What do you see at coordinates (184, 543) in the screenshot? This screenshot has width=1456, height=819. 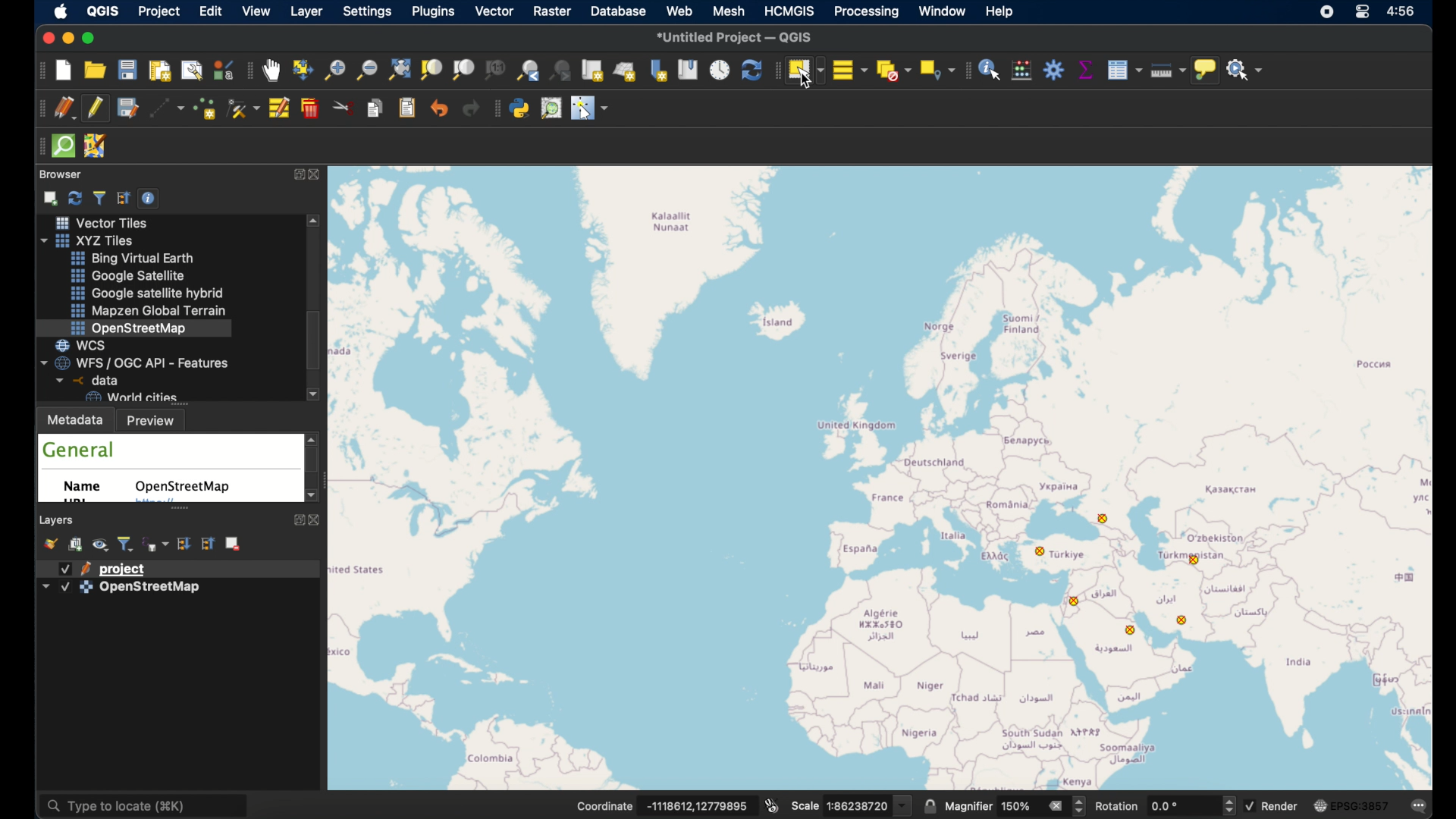 I see `expand all` at bounding box center [184, 543].